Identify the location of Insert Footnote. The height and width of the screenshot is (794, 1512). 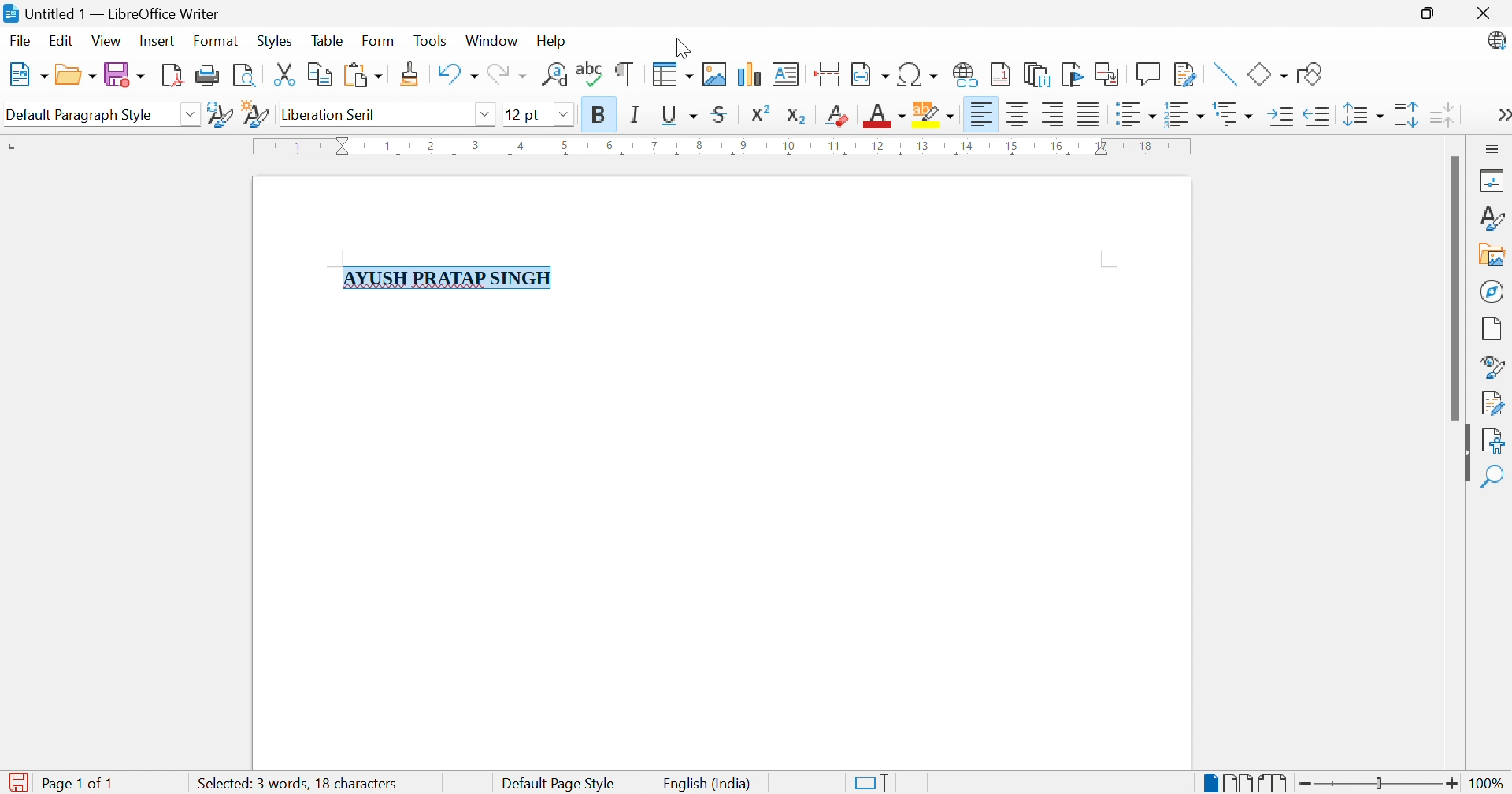
(999, 76).